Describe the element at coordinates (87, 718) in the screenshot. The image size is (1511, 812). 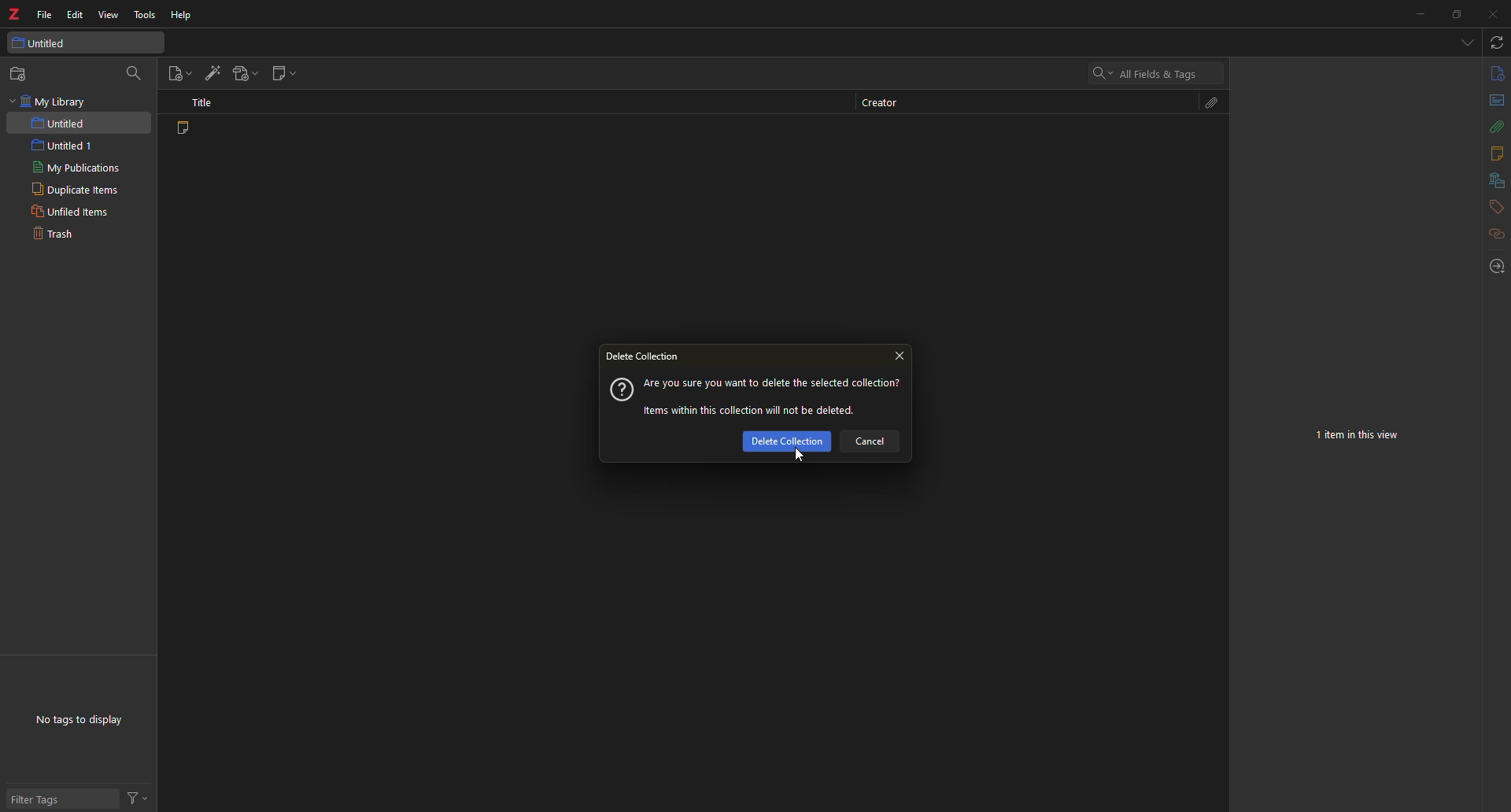
I see `no tags` at that location.